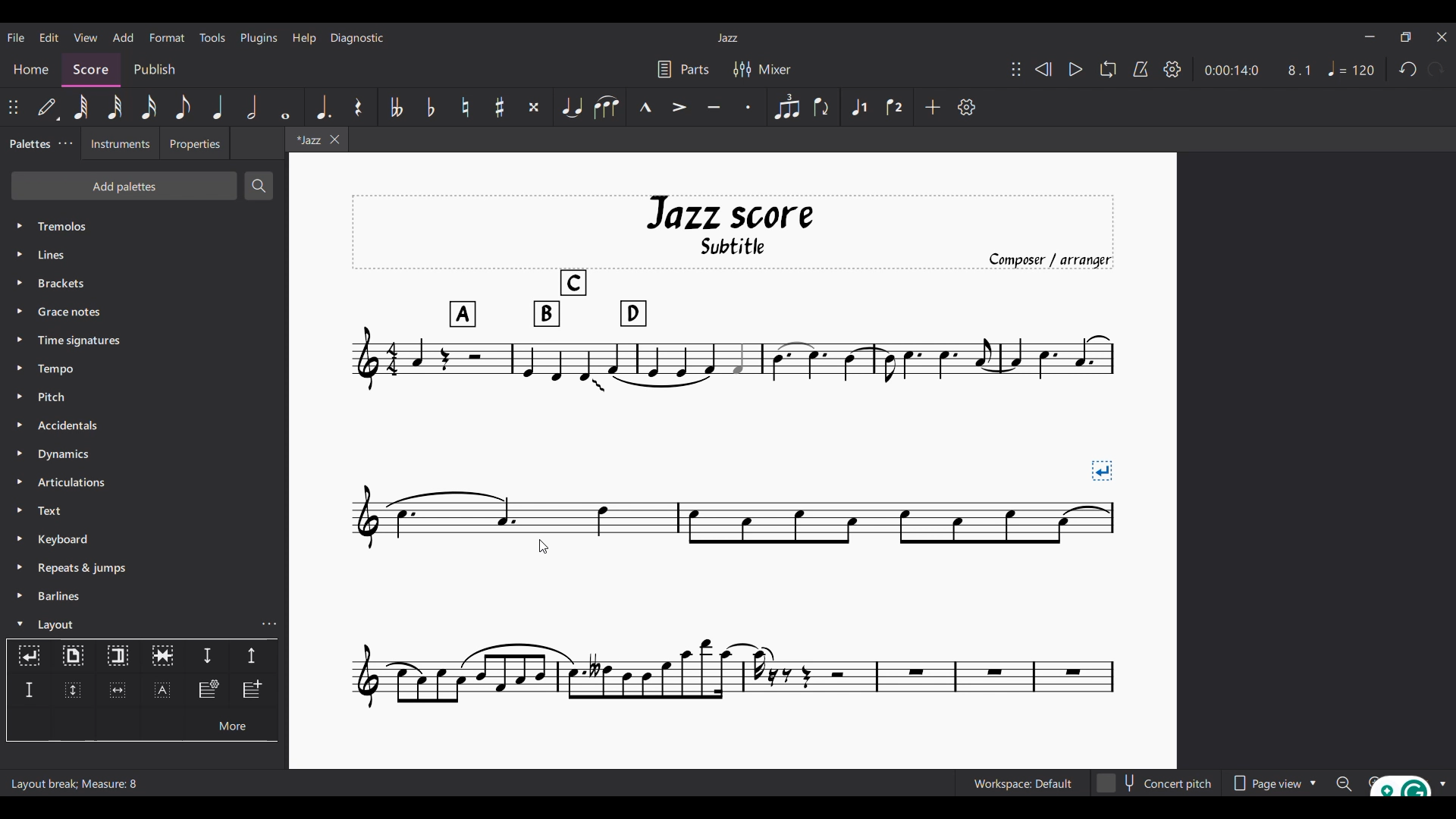 The image size is (1456, 819). What do you see at coordinates (286, 107) in the screenshot?
I see `Whole note` at bounding box center [286, 107].